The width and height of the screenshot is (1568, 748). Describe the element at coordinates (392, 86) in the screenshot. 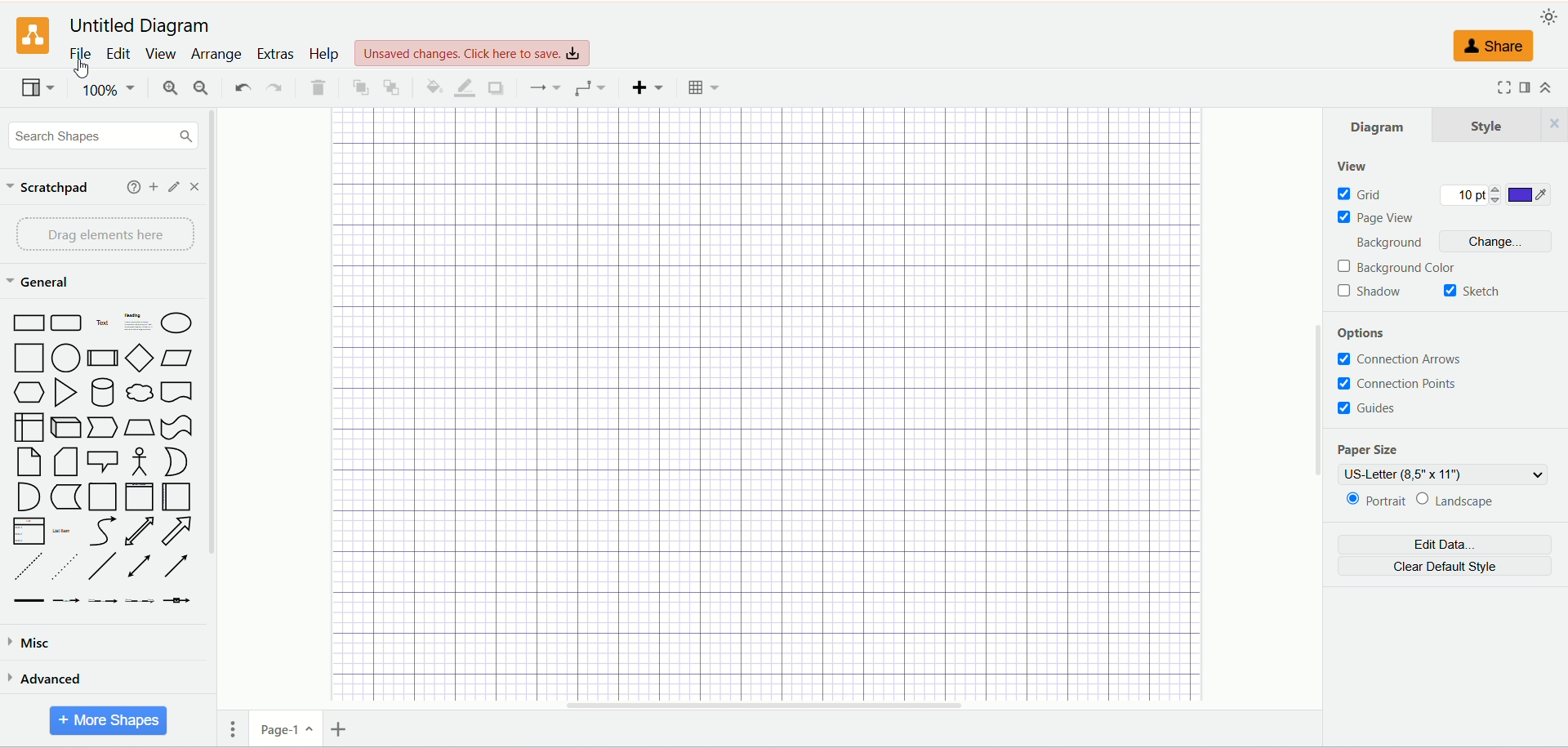

I see `to back` at that location.